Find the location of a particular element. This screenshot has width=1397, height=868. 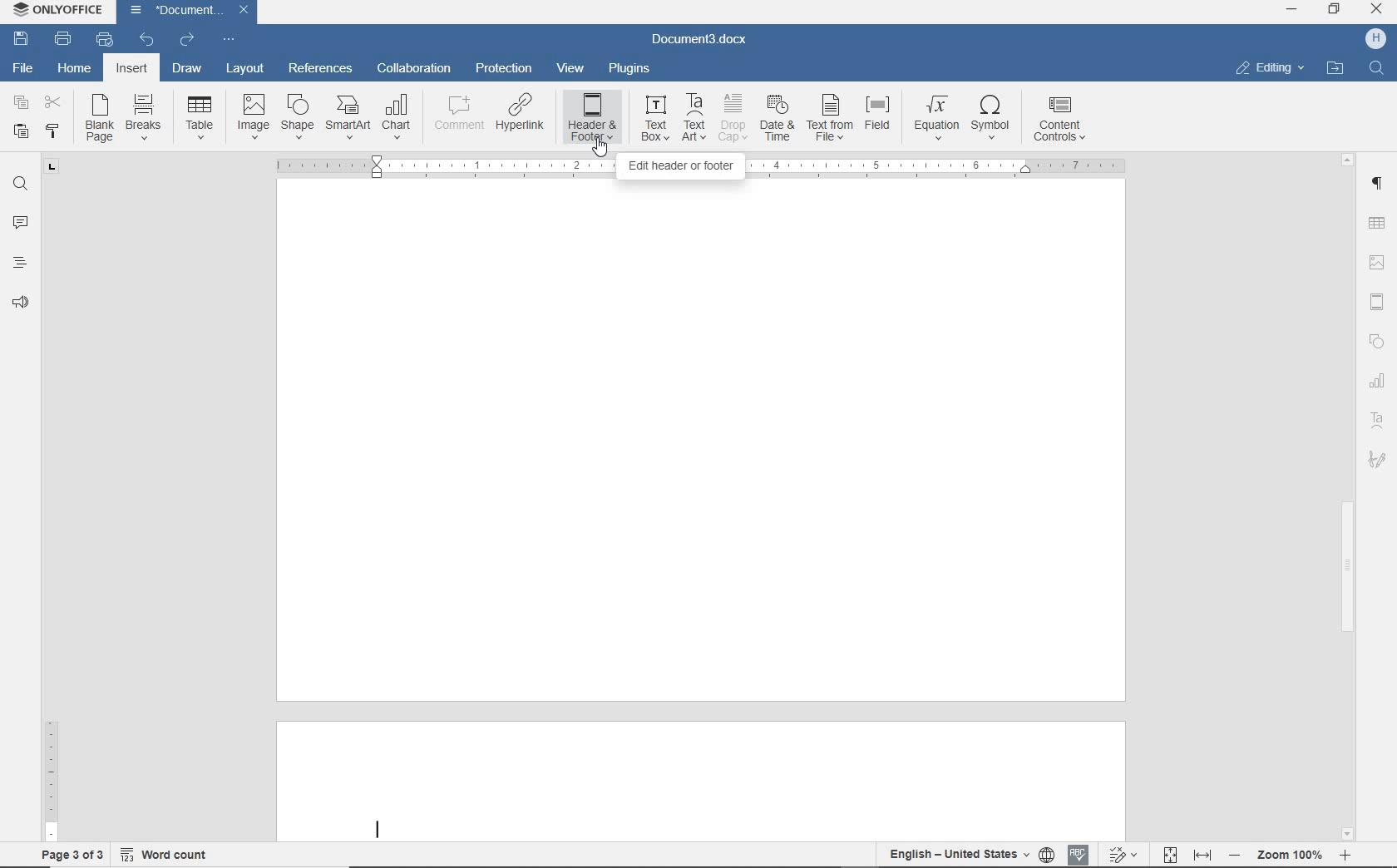

PASTE is located at coordinates (22, 130).